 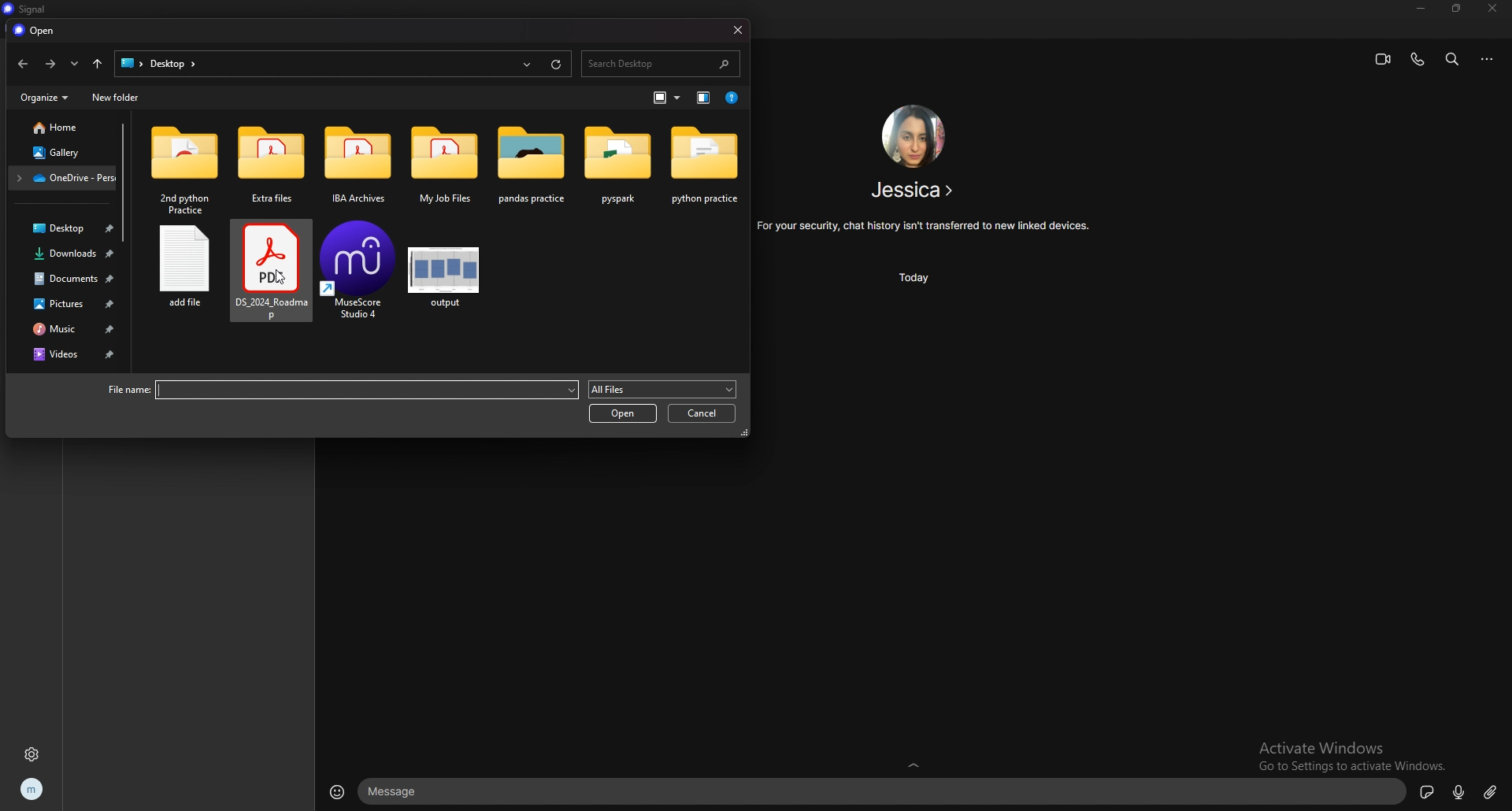 I want to click on organize, so click(x=44, y=97).